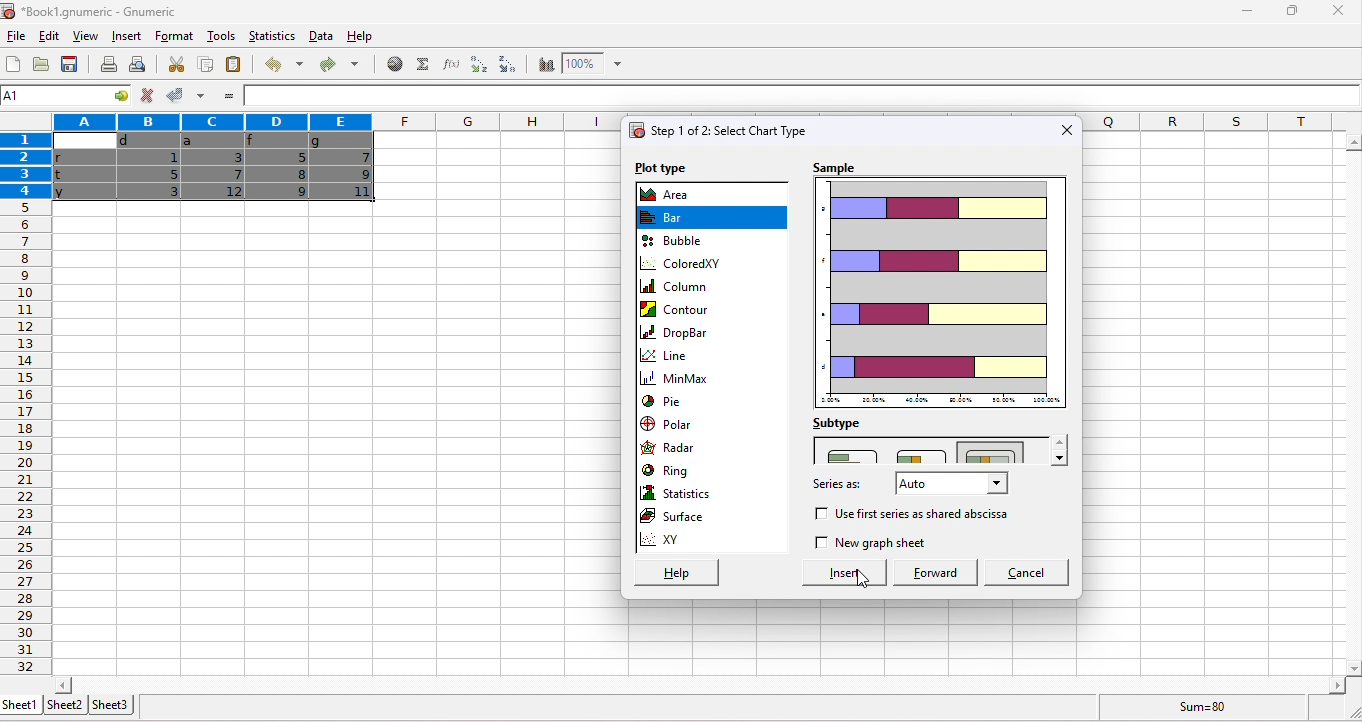 The height and width of the screenshot is (722, 1362). What do you see at coordinates (20, 704) in the screenshot?
I see `sheet1` at bounding box center [20, 704].